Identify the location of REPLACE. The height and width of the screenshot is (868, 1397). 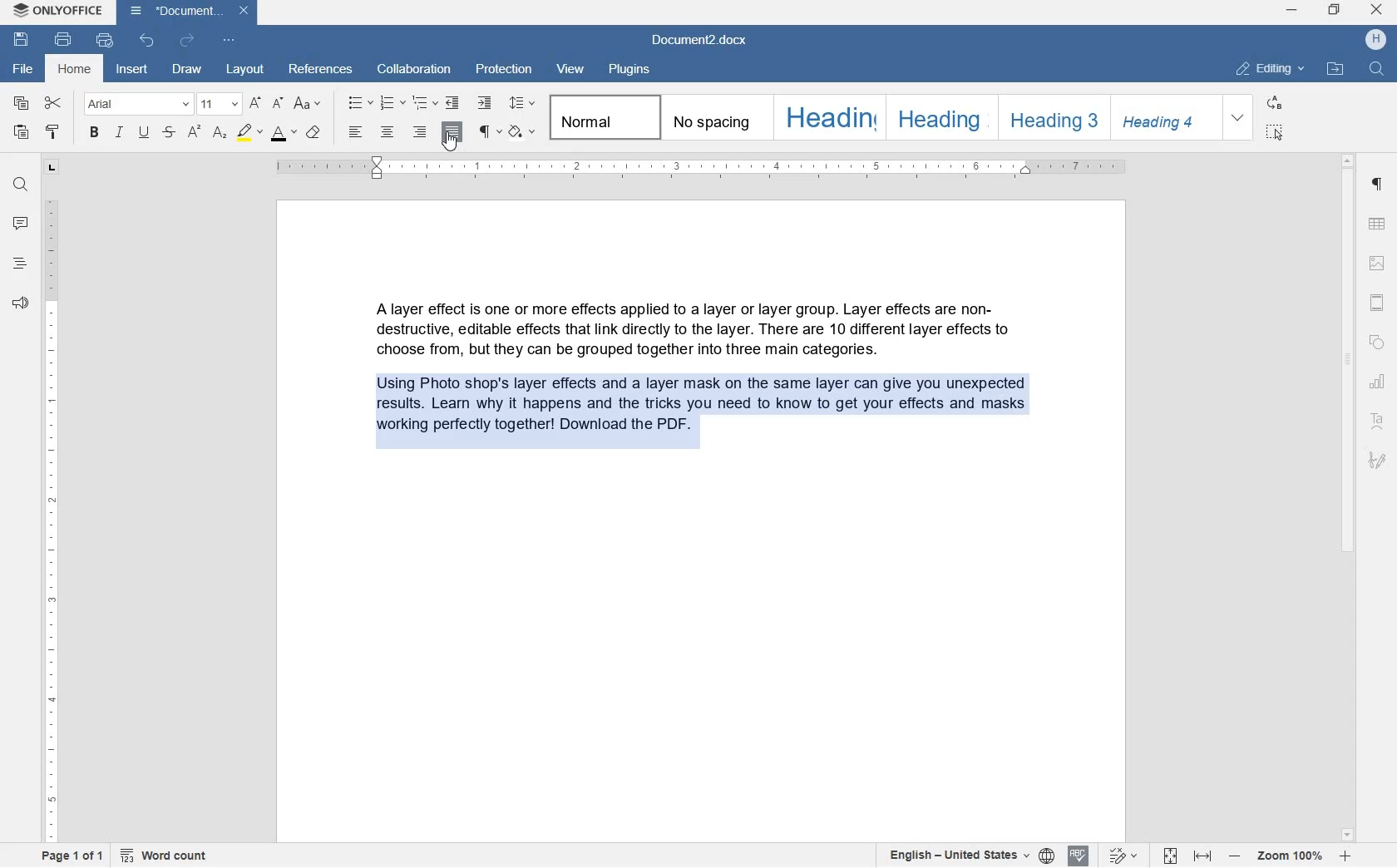
(1275, 101).